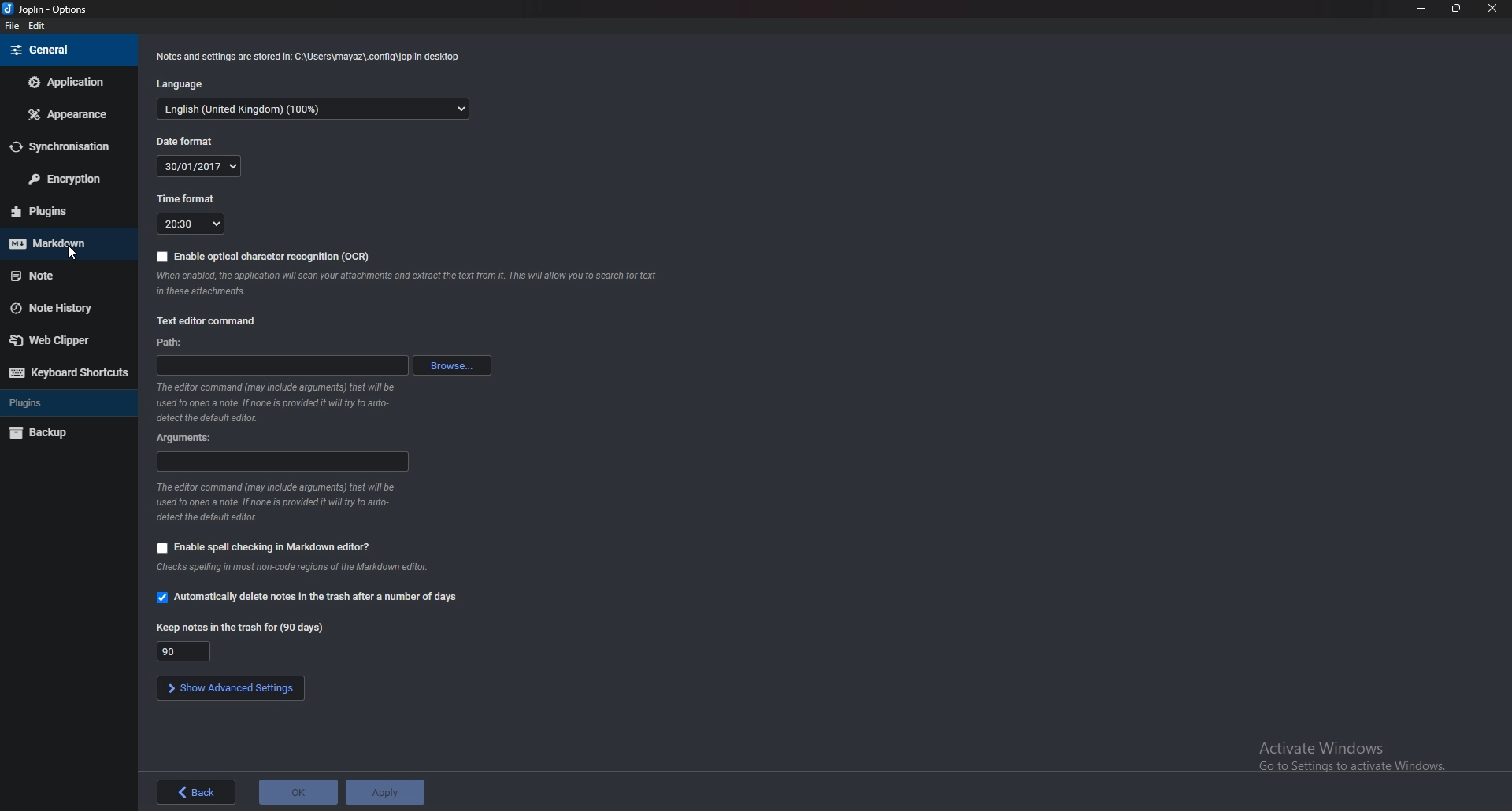 This screenshot has height=811, width=1512. I want to click on enable O C R, so click(260, 257).